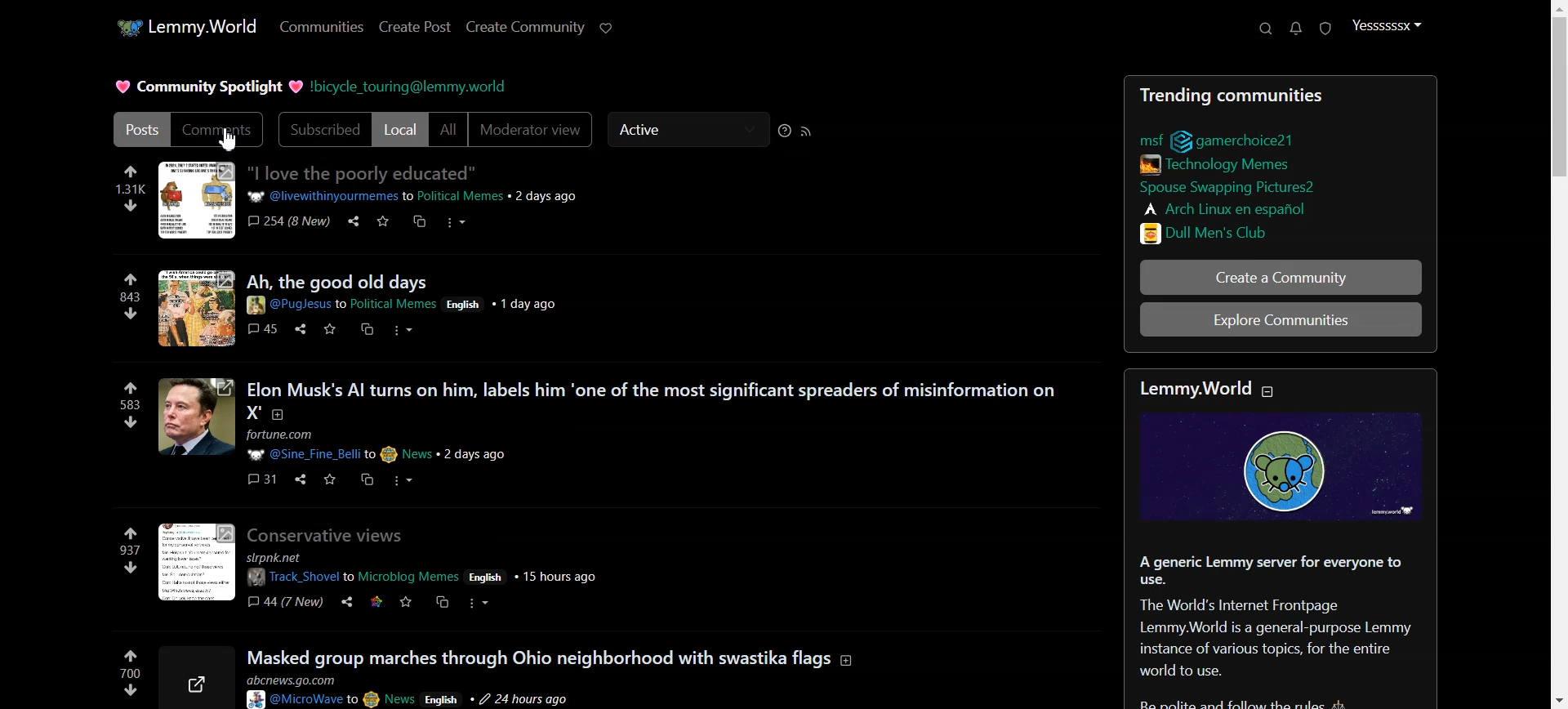 Image resolution: width=1568 pixels, height=709 pixels. I want to click on post details, so click(416, 444).